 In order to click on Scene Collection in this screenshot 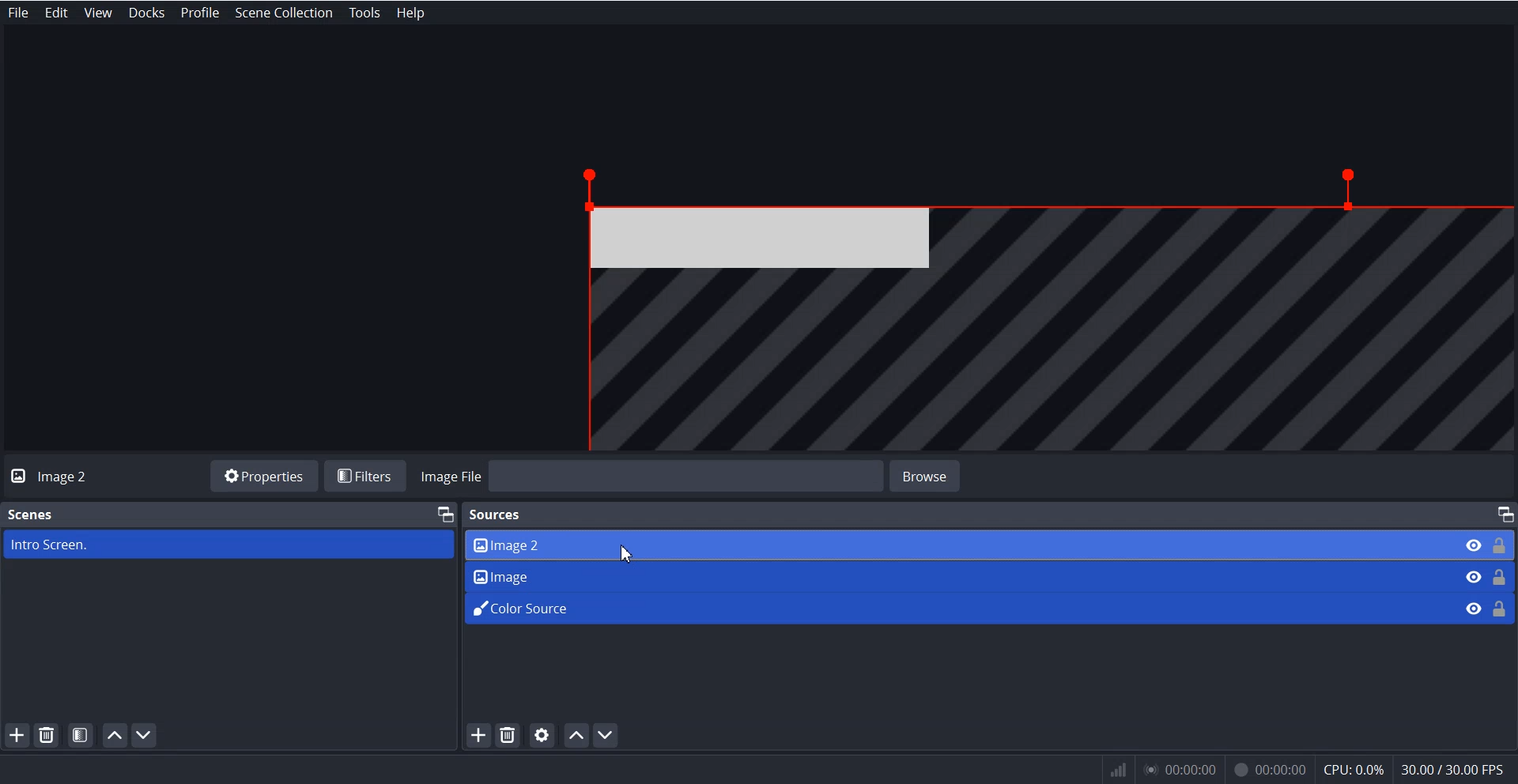, I will do `click(285, 13)`.